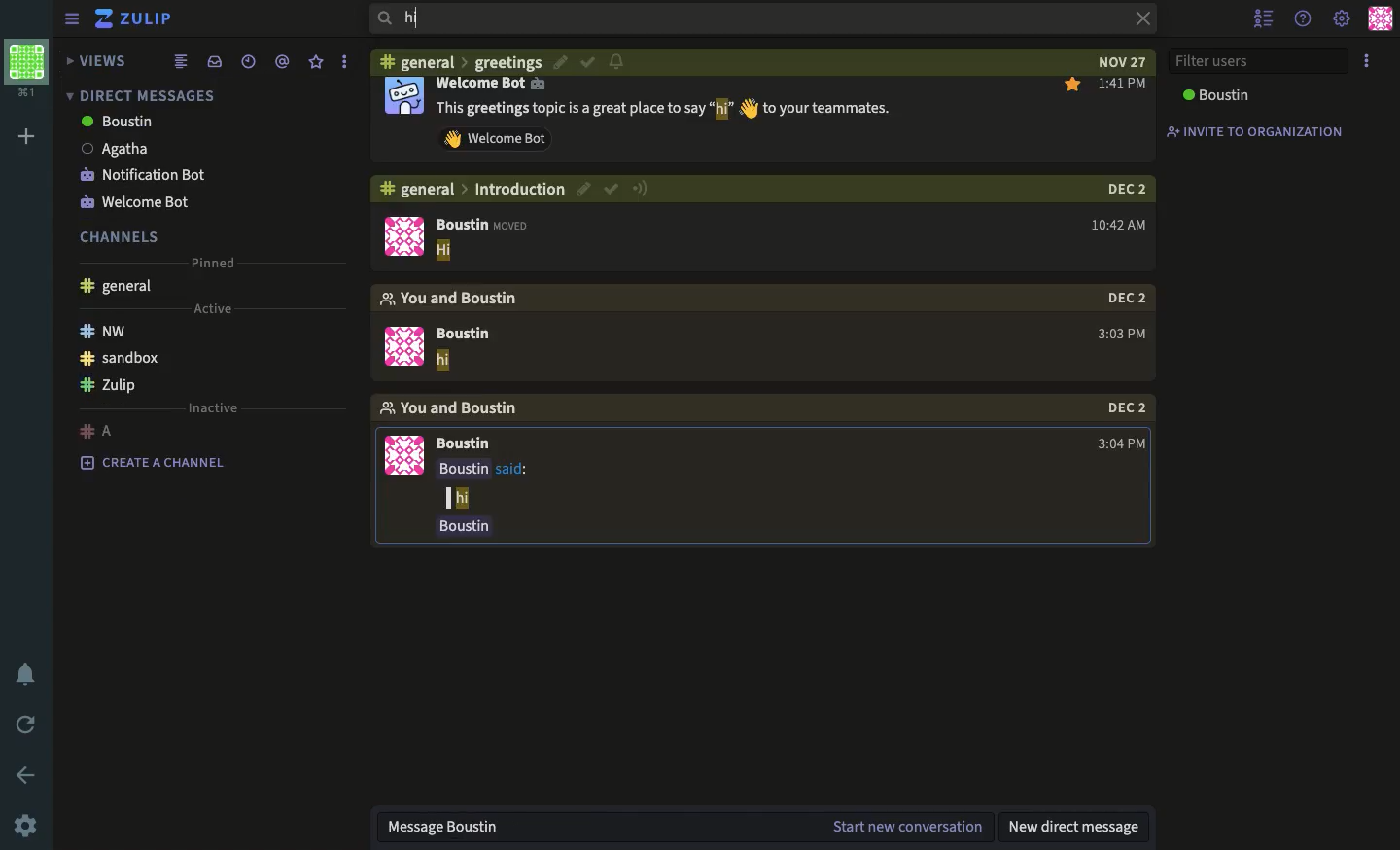 This screenshot has height=850, width=1400. I want to click on search for hi, so click(434, 21).